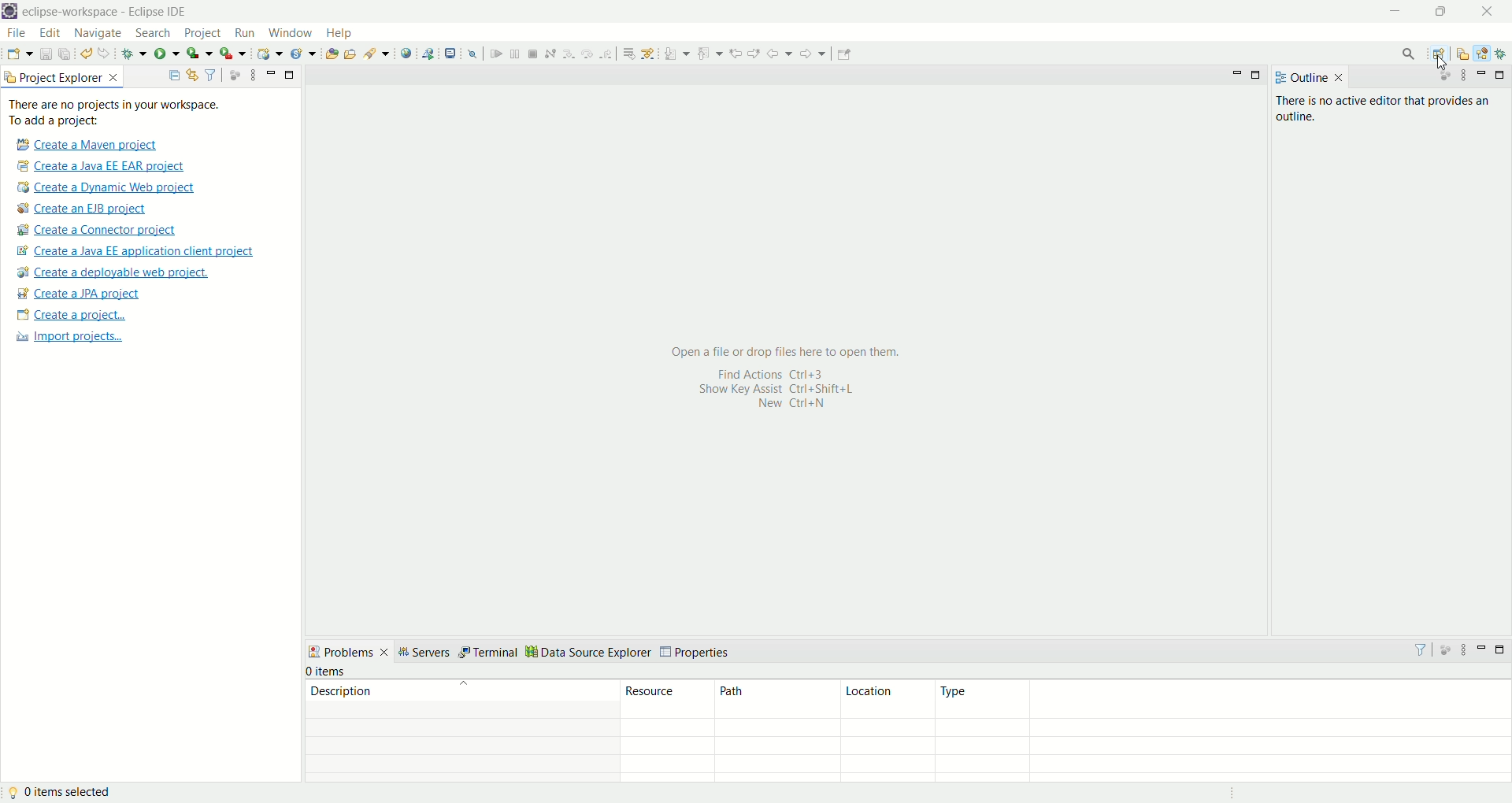 This screenshot has height=803, width=1512. Describe the element at coordinates (1439, 54) in the screenshot. I see `open perspective` at that location.